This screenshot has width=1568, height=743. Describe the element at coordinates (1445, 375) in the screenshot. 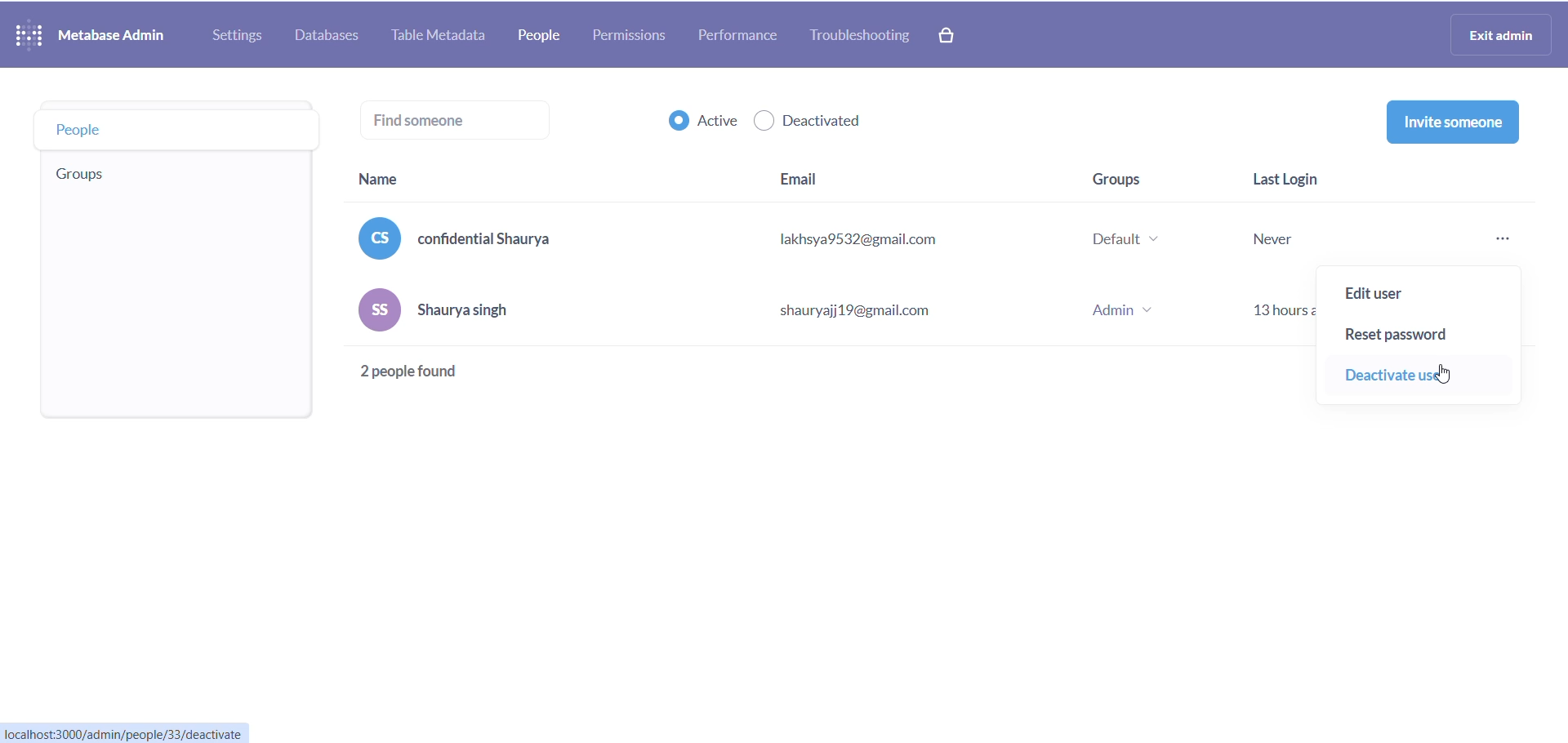

I see `cursor` at that location.